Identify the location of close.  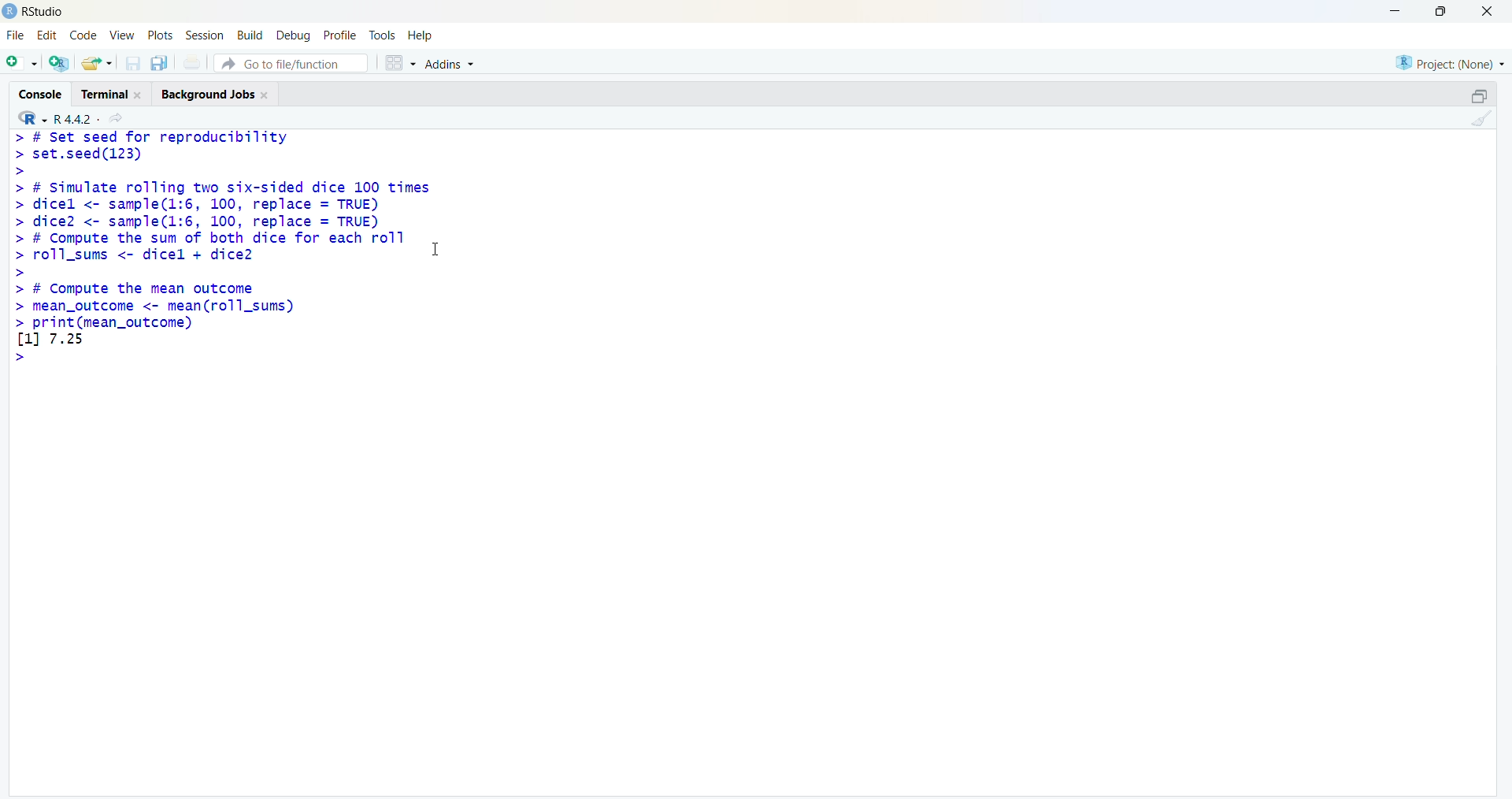
(139, 95).